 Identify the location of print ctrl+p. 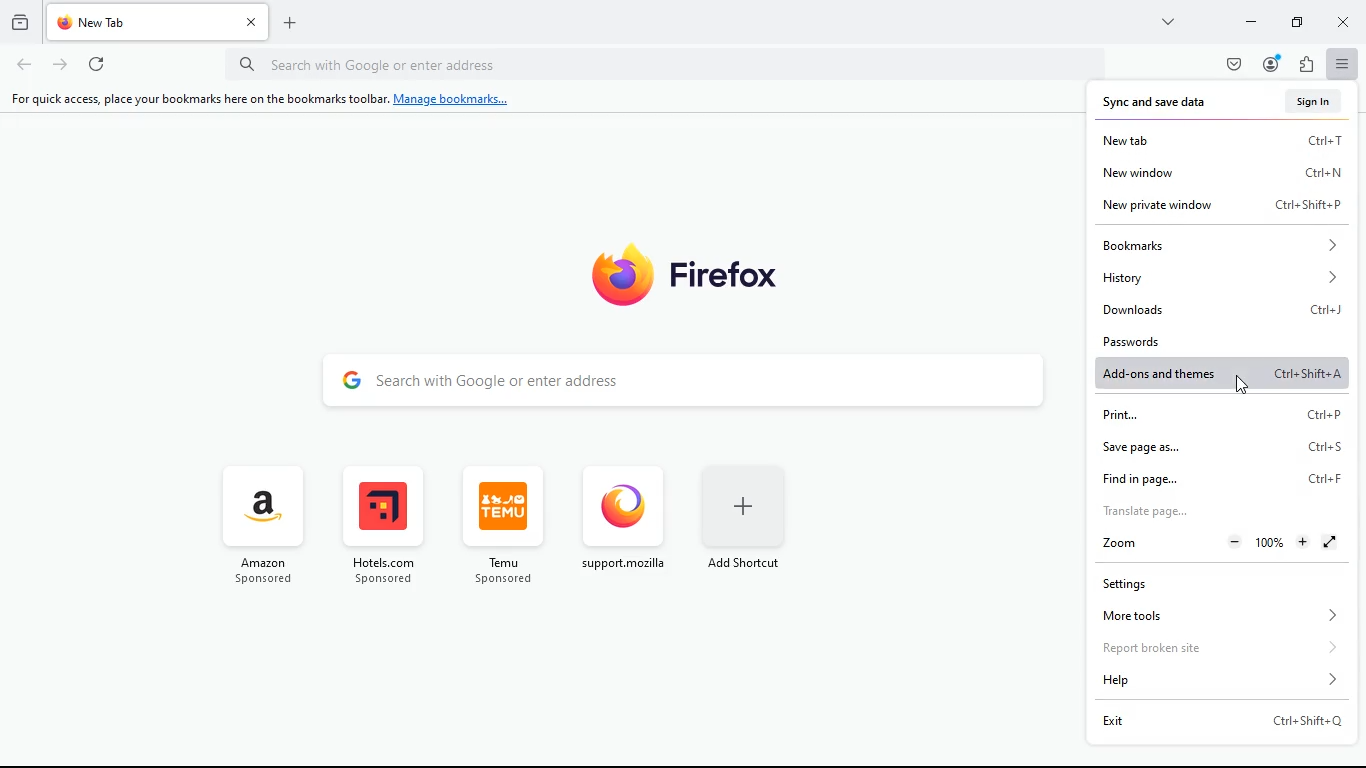
(1217, 415).